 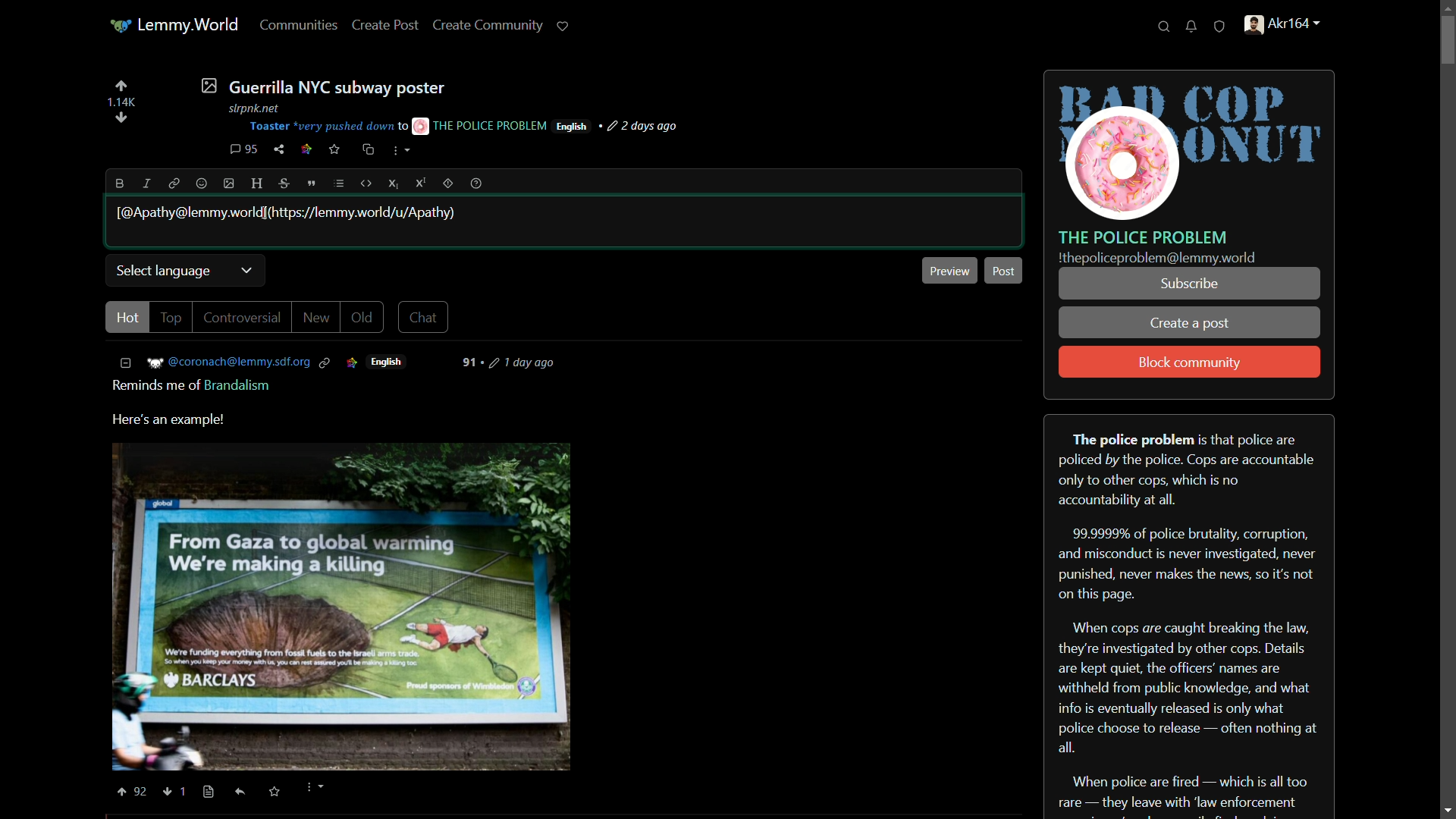 I want to click on COLLAPSE, so click(x=130, y=363).